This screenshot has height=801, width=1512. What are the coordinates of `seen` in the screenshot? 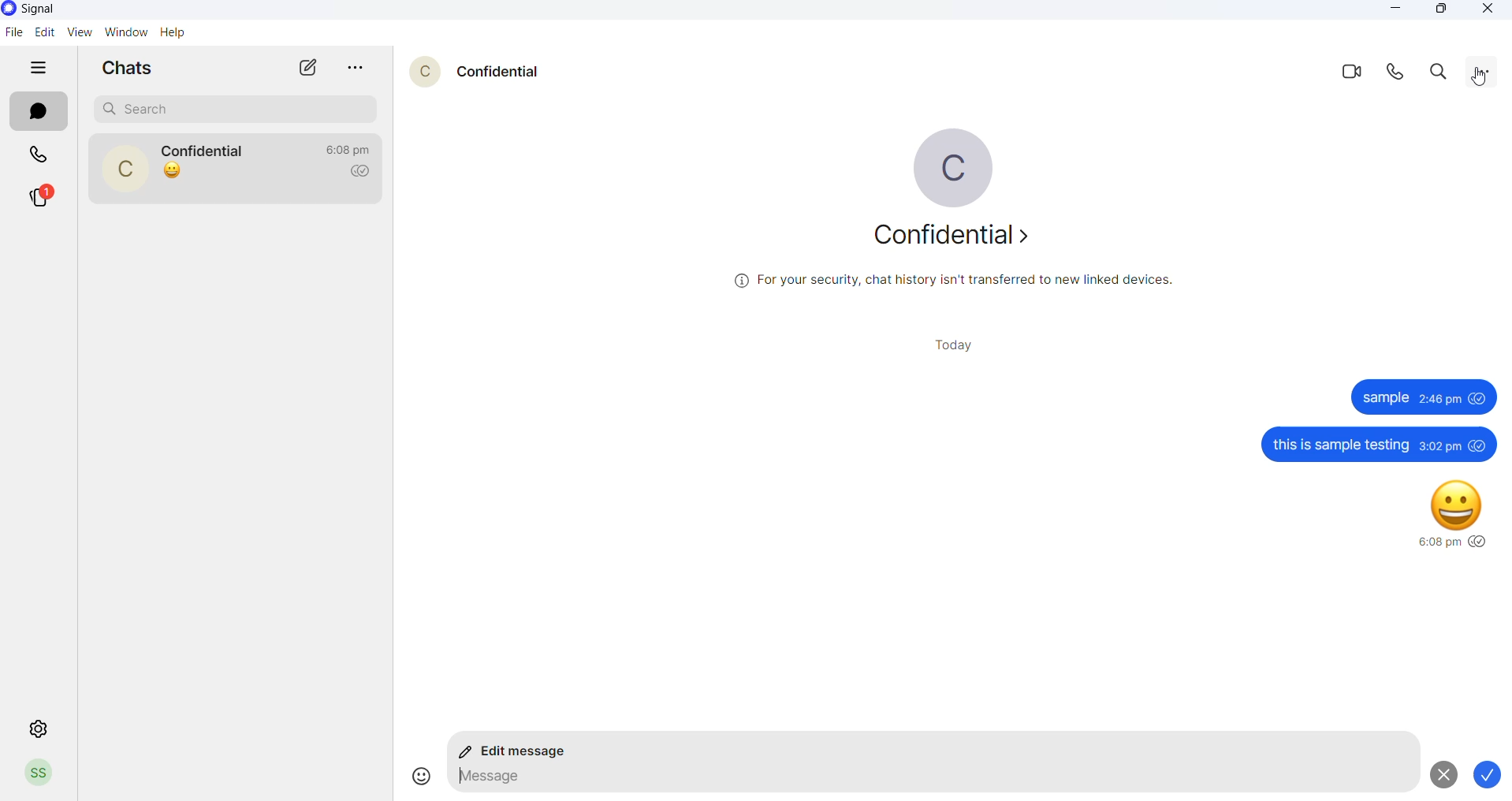 It's located at (1479, 445).